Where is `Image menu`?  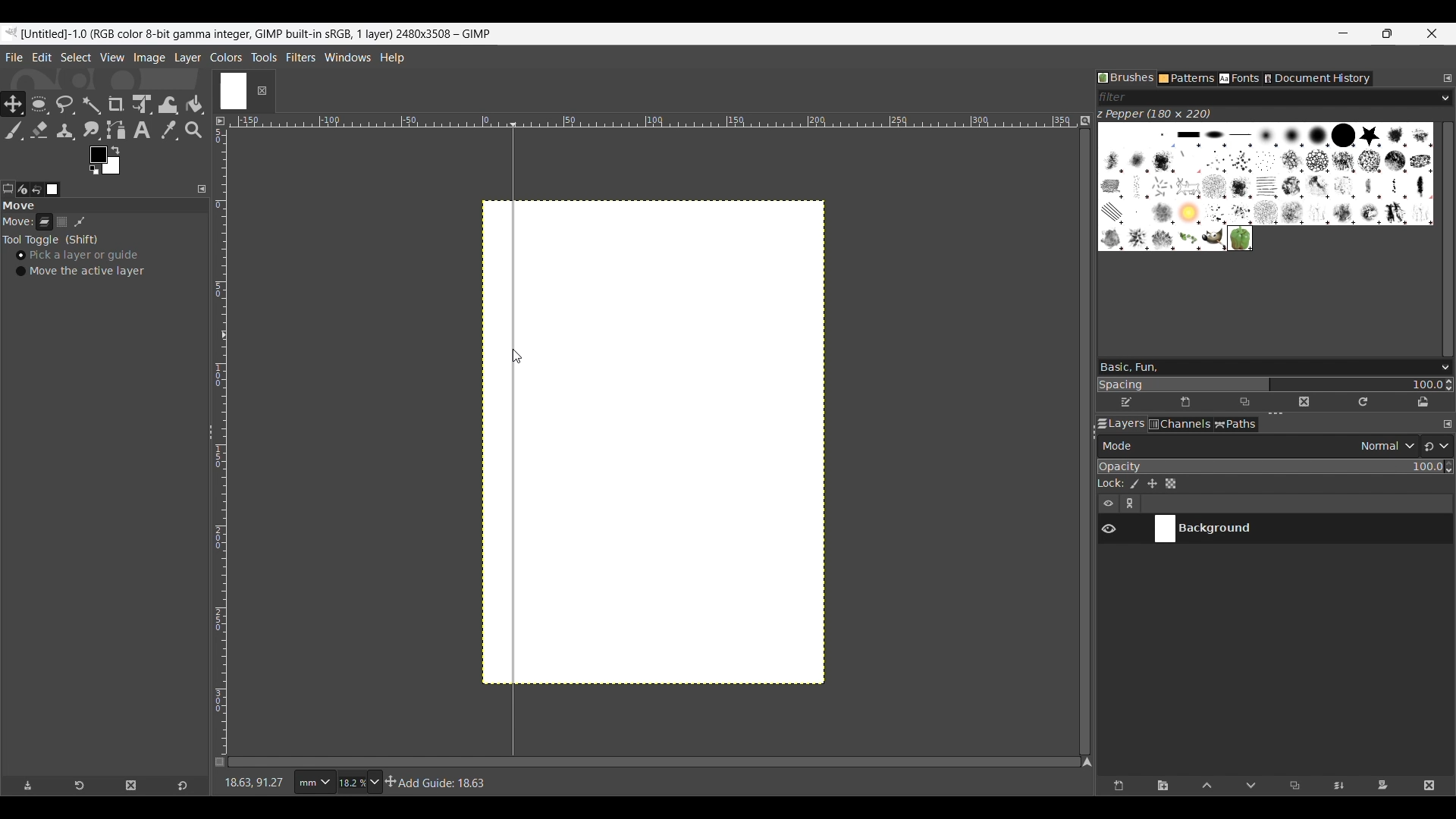
Image menu is located at coordinates (149, 58).